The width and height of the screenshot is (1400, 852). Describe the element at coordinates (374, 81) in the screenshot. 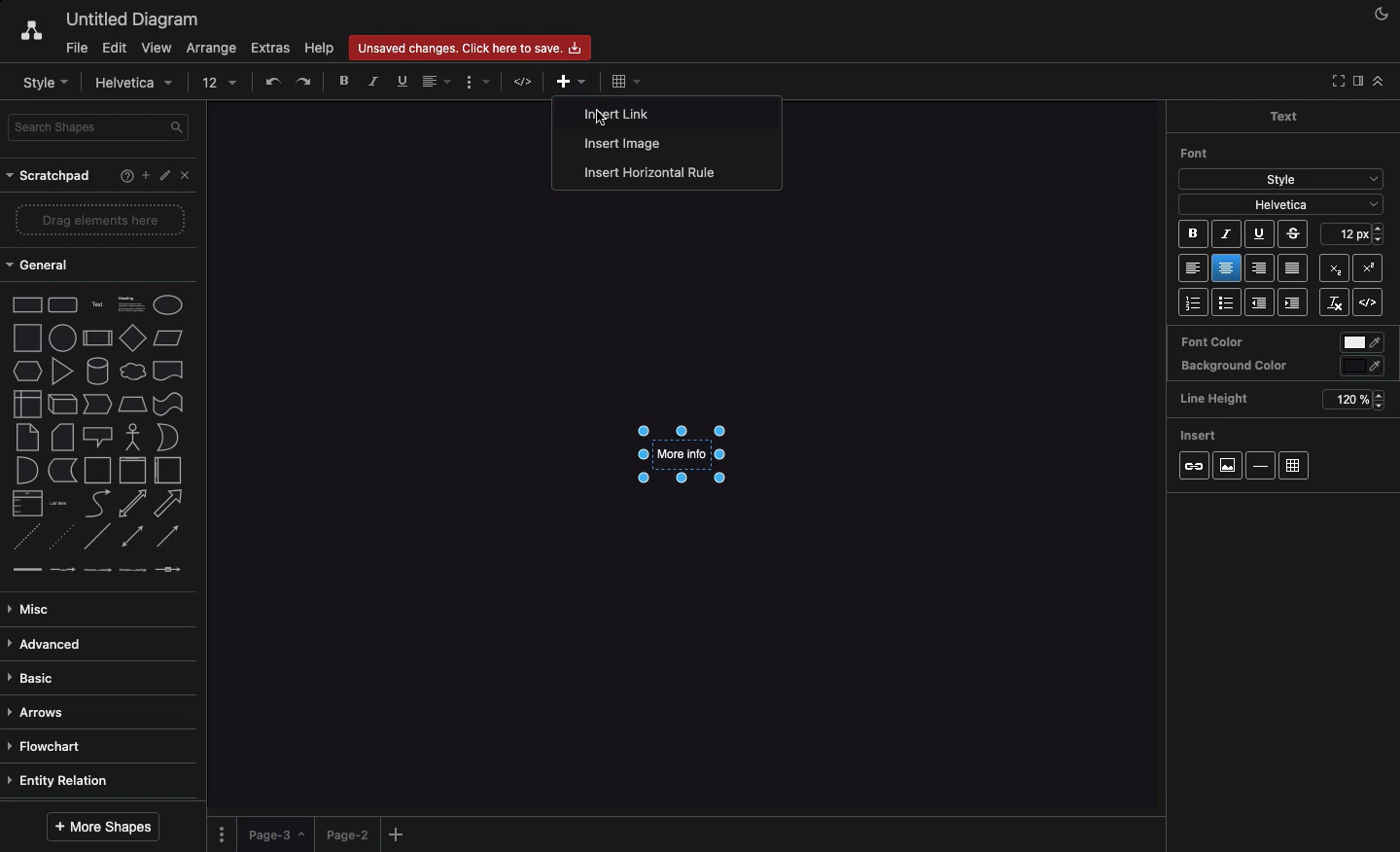

I see `Italics` at that location.